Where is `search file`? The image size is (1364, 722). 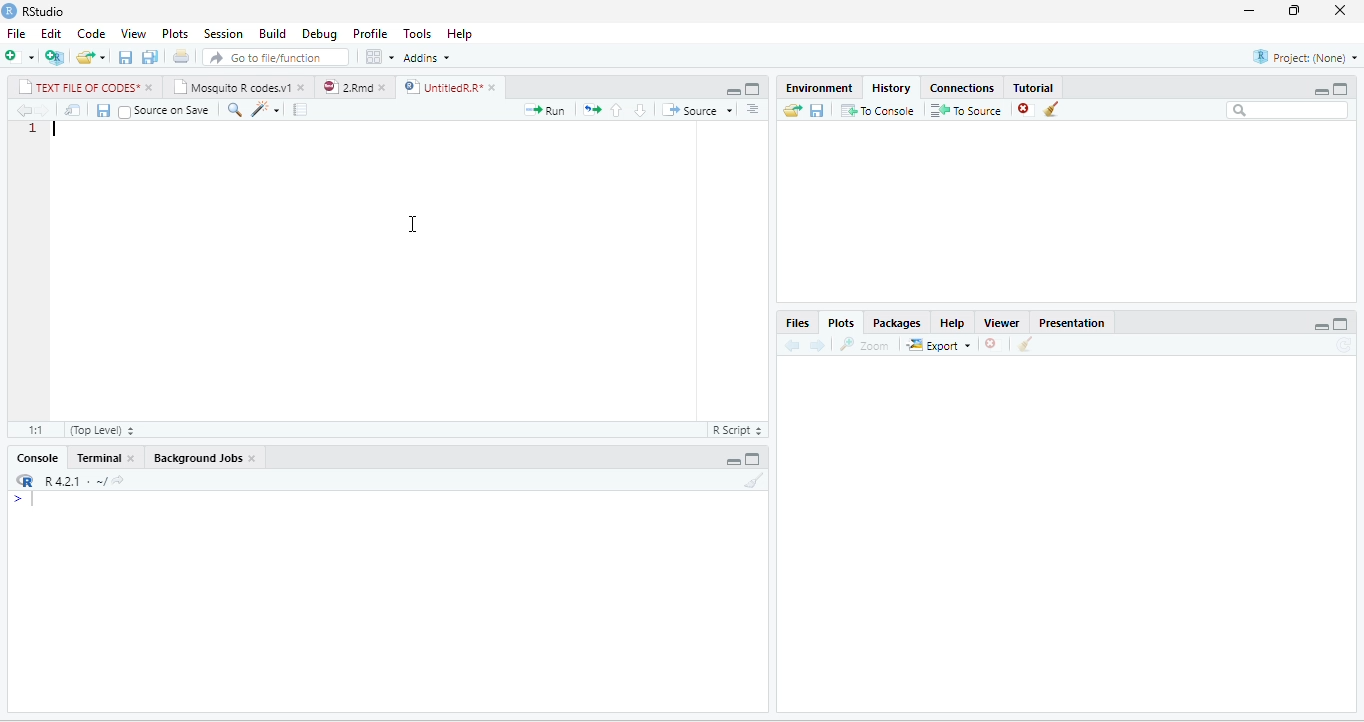
search file is located at coordinates (276, 57).